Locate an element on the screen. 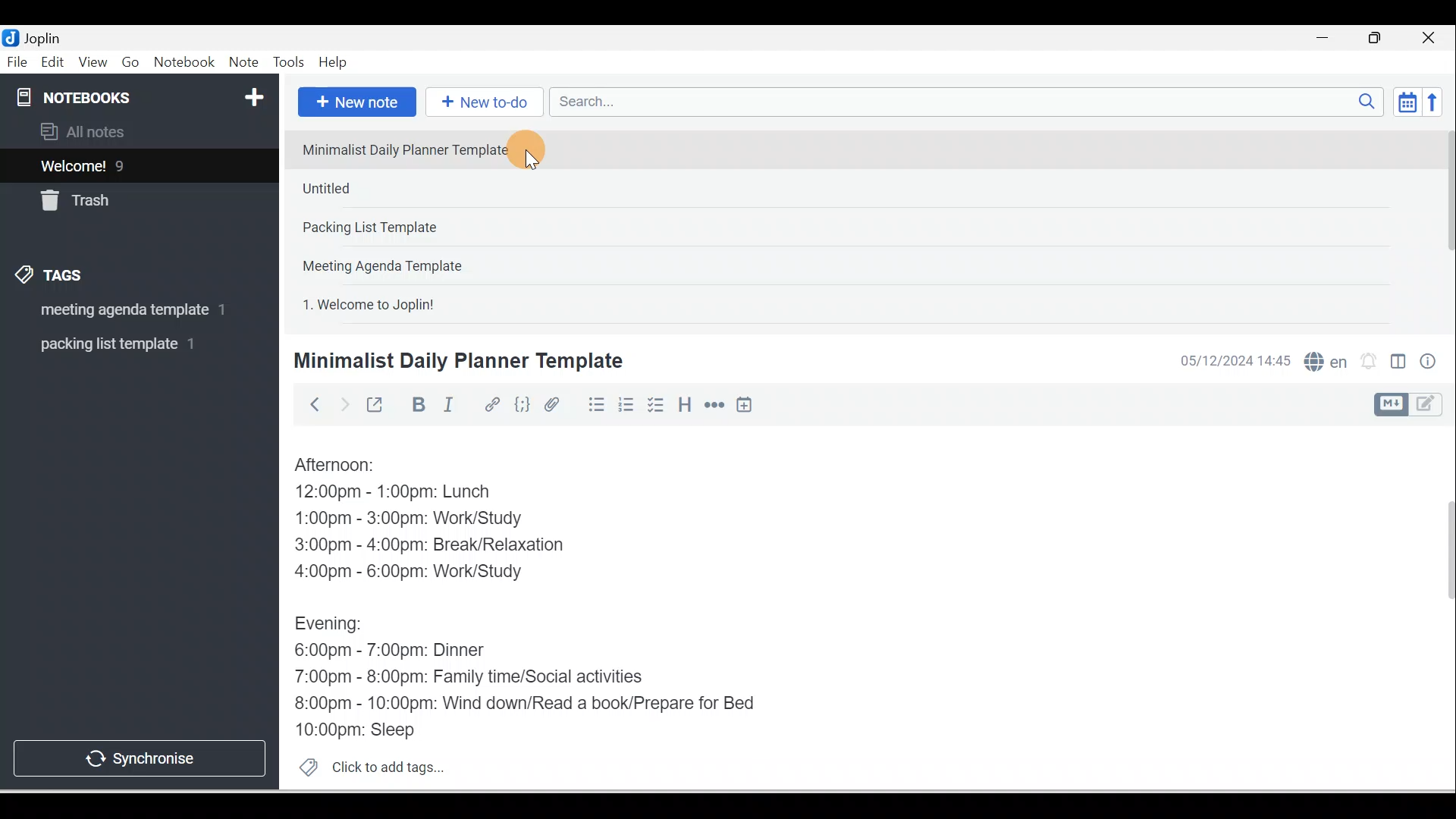 The height and width of the screenshot is (819, 1456). Maximise is located at coordinates (1380, 39).